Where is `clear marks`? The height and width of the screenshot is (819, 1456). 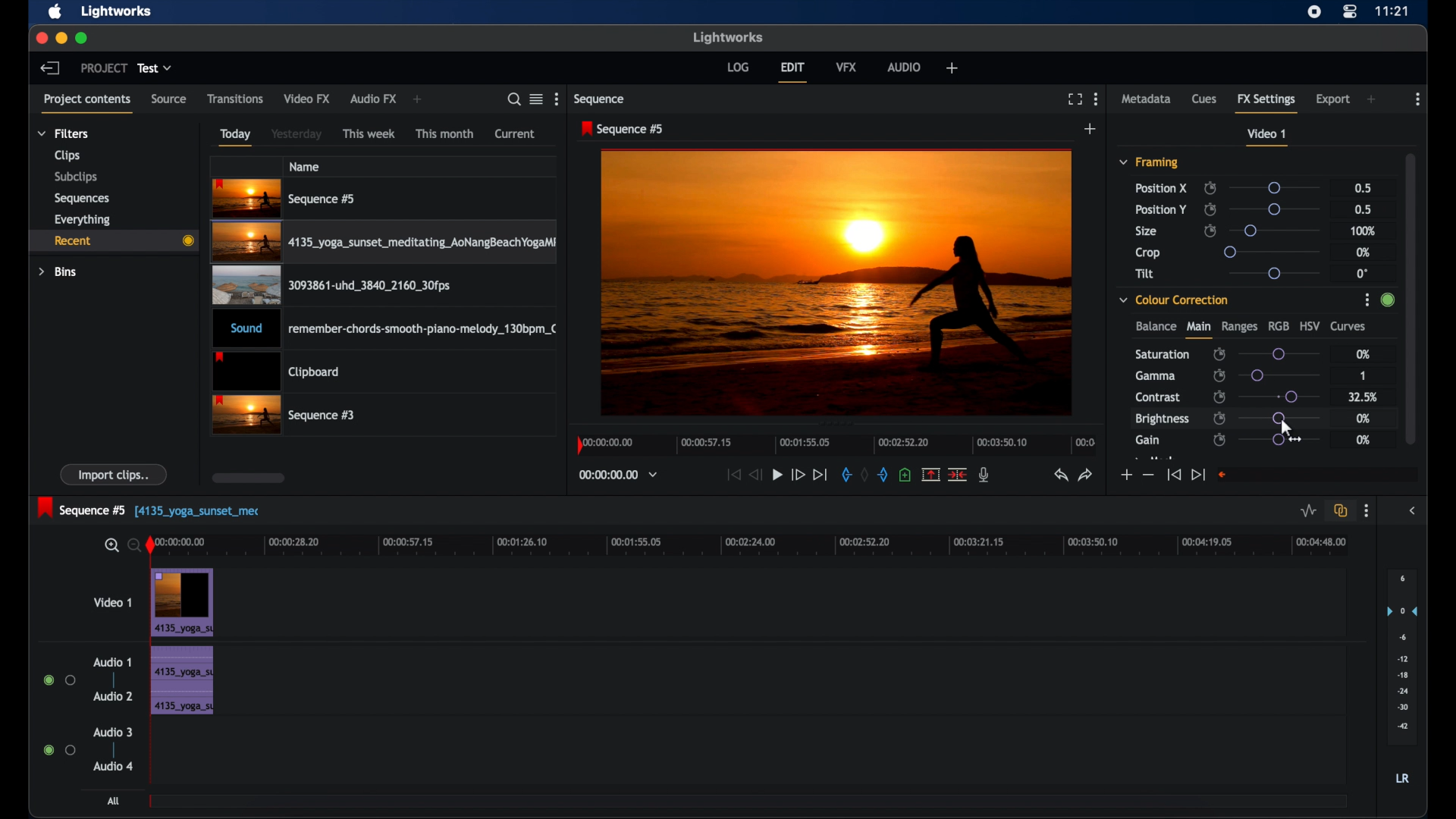
clear marks is located at coordinates (864, 475).